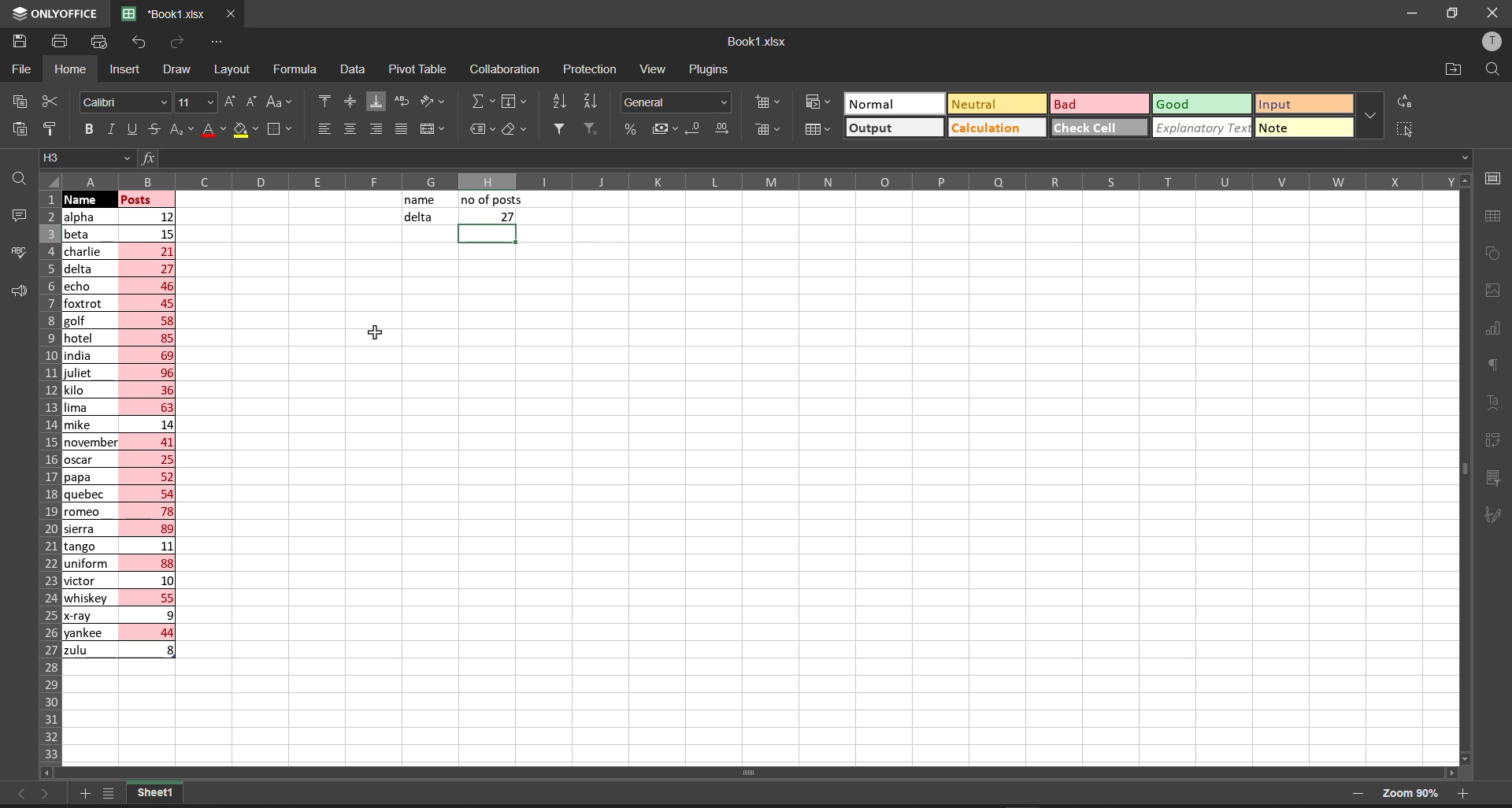 This screenshot has width=1512, height=808. What do you see at coordinates (724, 131) in the screenshot?
I see `increase decimal` at bounding box center [724, 131].